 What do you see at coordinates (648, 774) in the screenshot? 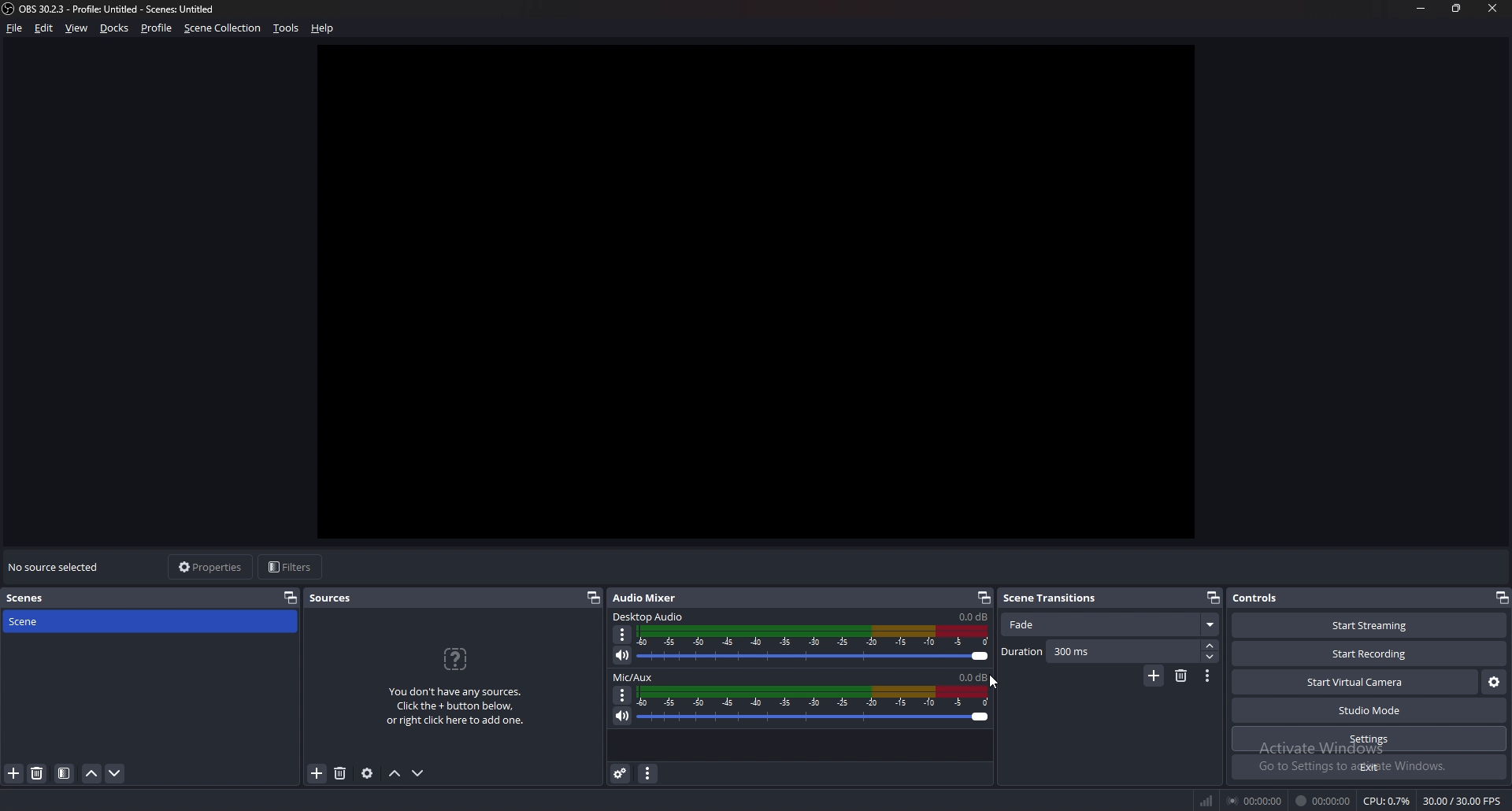
I see `audio mixer menu` at bounding box center [648, 774].